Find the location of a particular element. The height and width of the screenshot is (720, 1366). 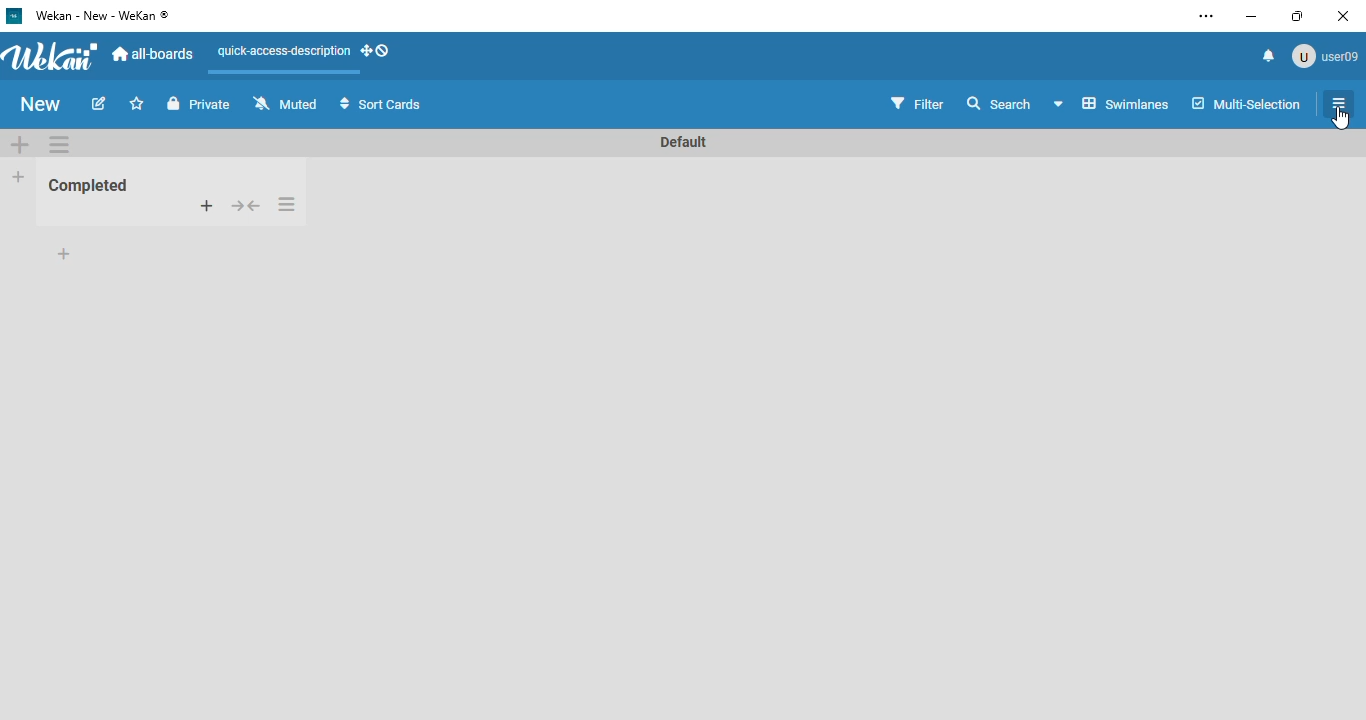

minimize is located at coordinates (1250, 16).